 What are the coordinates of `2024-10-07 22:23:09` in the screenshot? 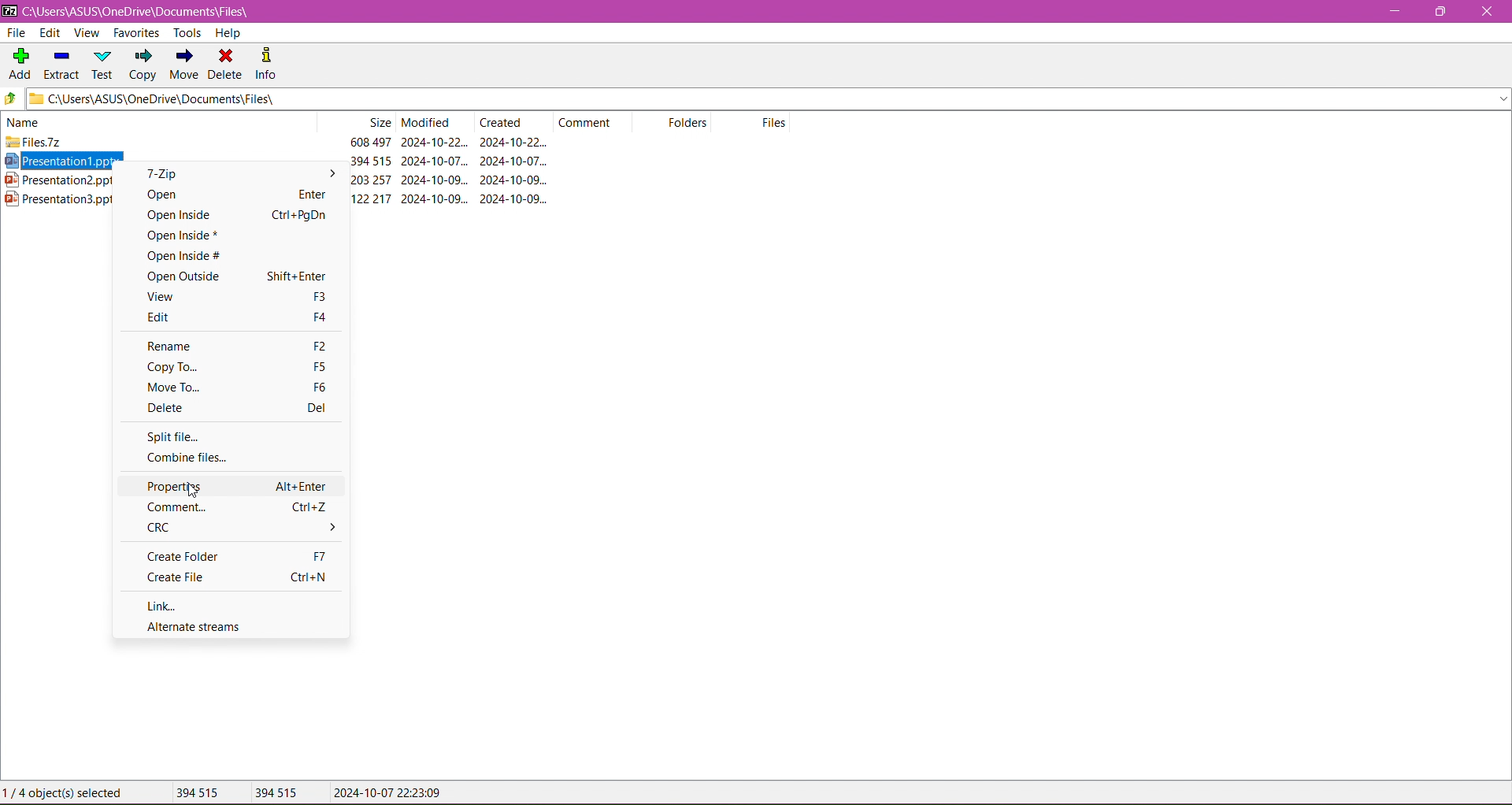 It's located at (387, 792).